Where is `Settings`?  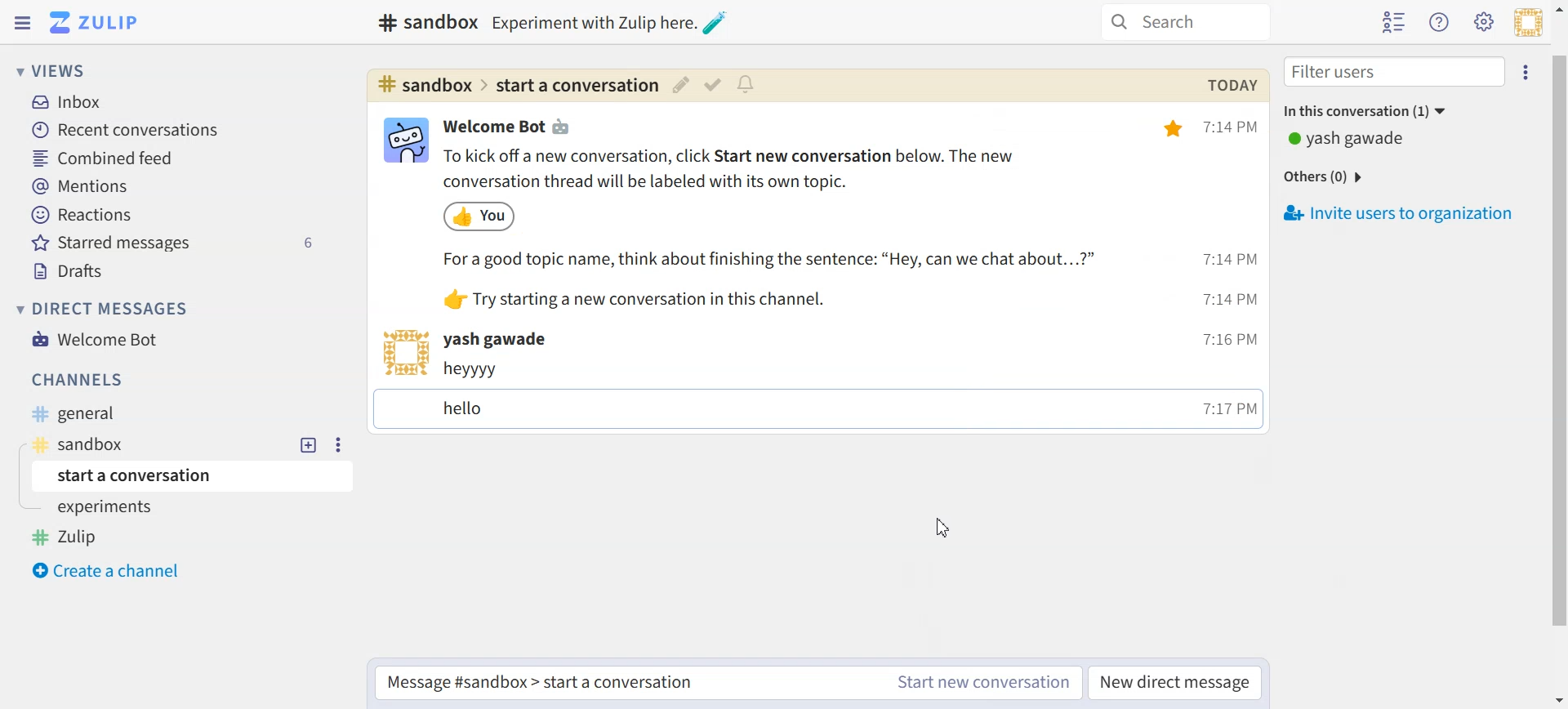
Settings is located at coordinates (1527, 70).